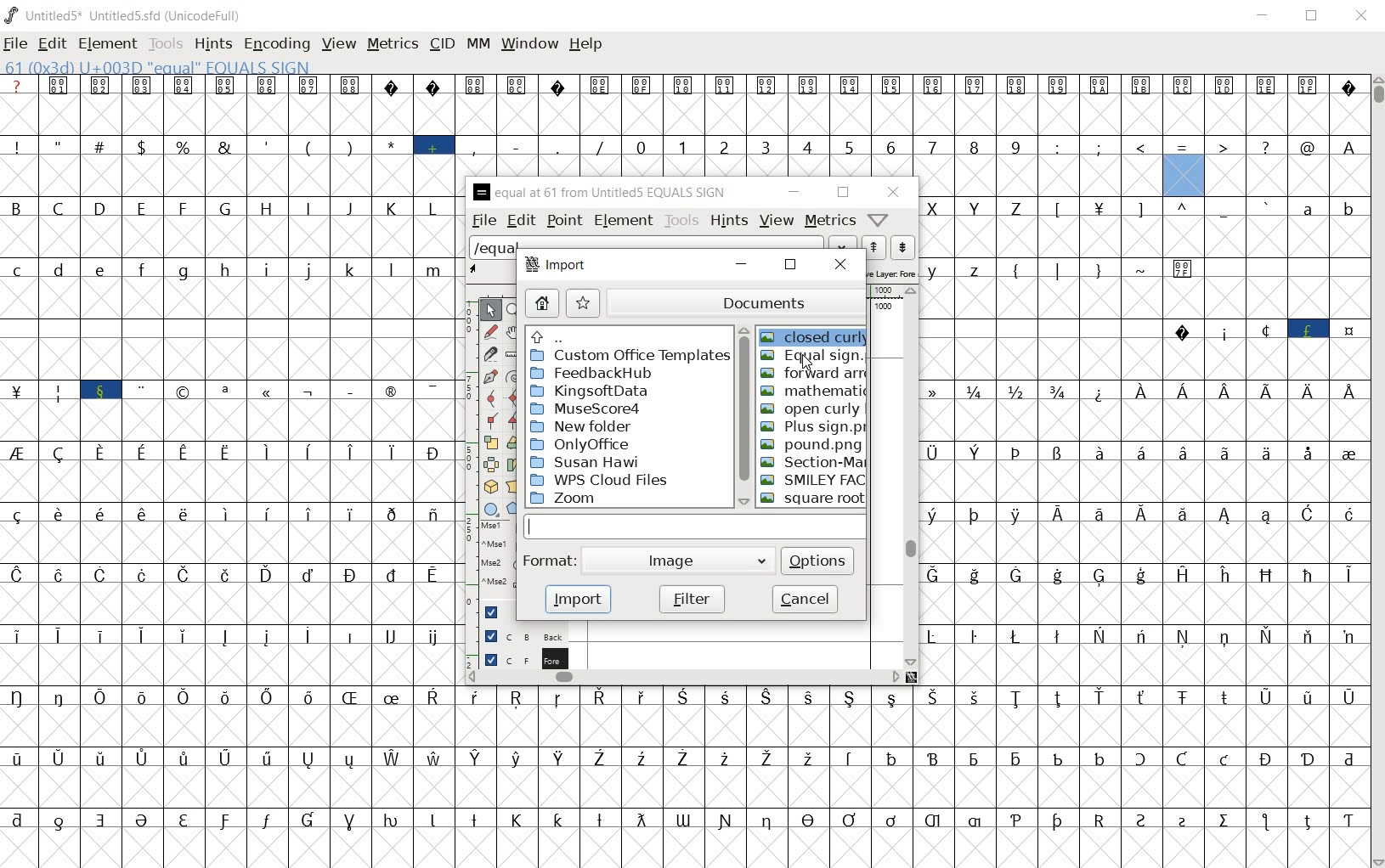 The image size is (1385, 868). I want to click on hints, so click(211, 43).